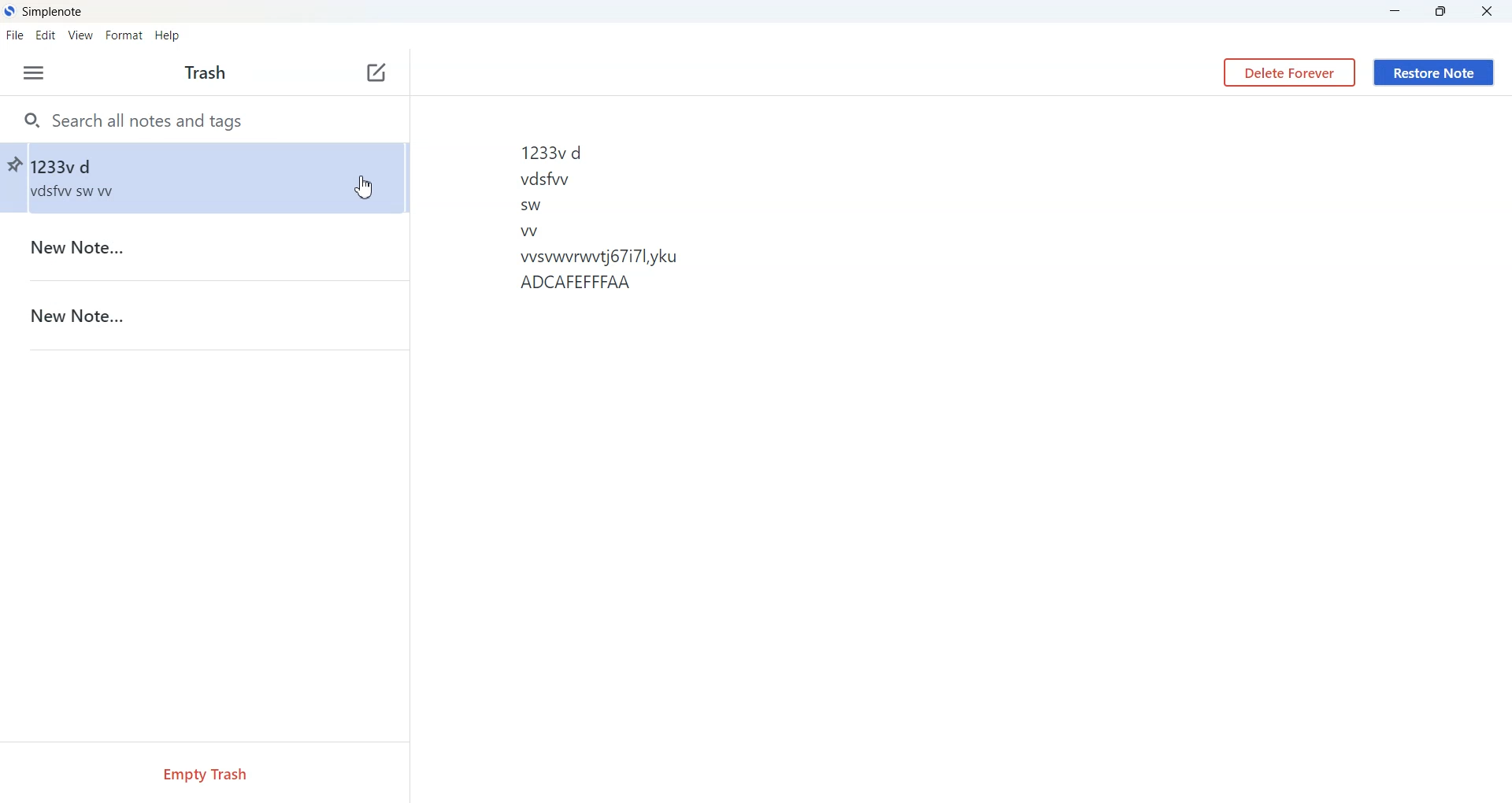  I want to click on Help, so click(167, 34).